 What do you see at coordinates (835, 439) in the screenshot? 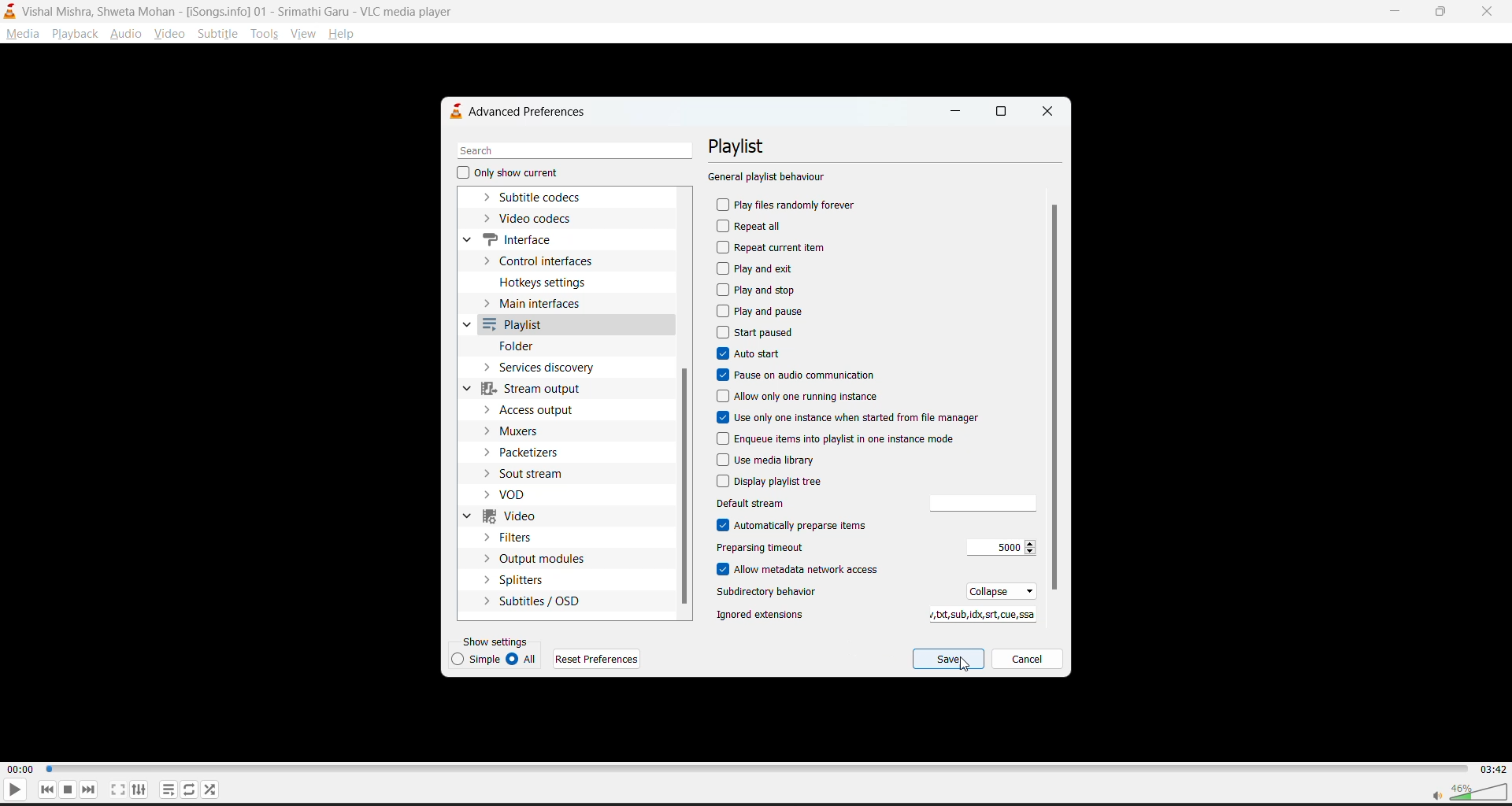
I see `enqueue items into playlist` at bounding box center [835, 439].